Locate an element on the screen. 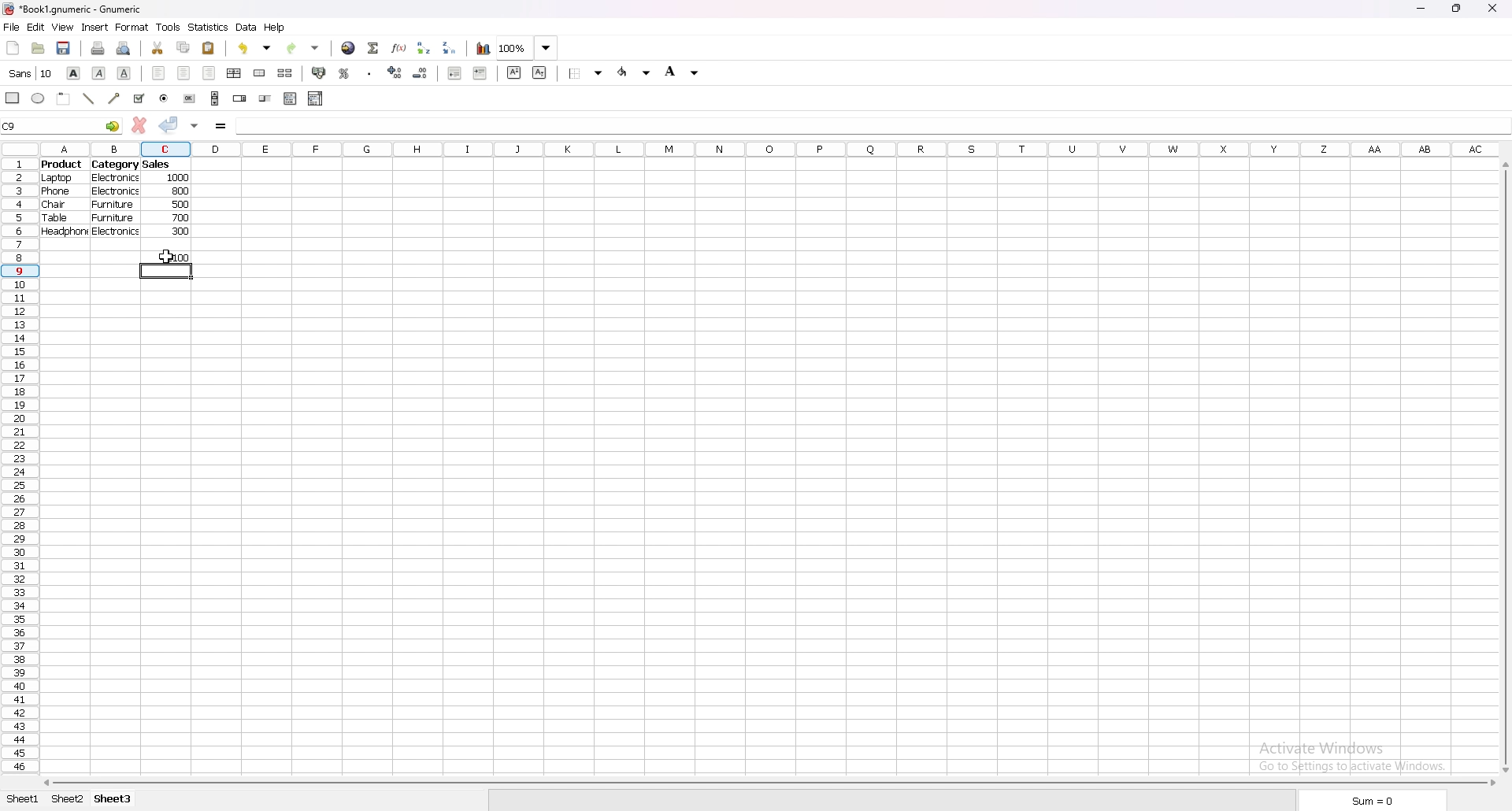 This screenshot has height=811, width=1512. save is located at coordinates (64, 48).